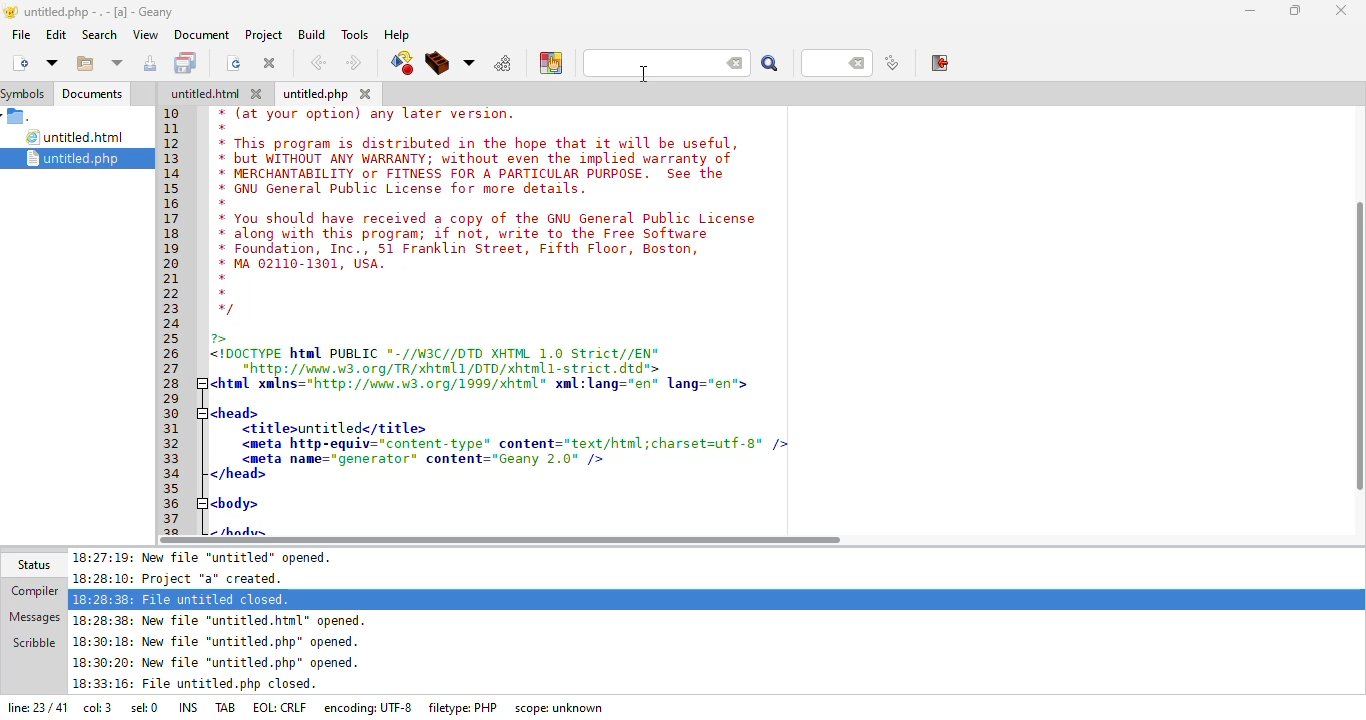 The height and width of the screenshot is (720, 1366). I want to click on ?>, so click(224, 338).